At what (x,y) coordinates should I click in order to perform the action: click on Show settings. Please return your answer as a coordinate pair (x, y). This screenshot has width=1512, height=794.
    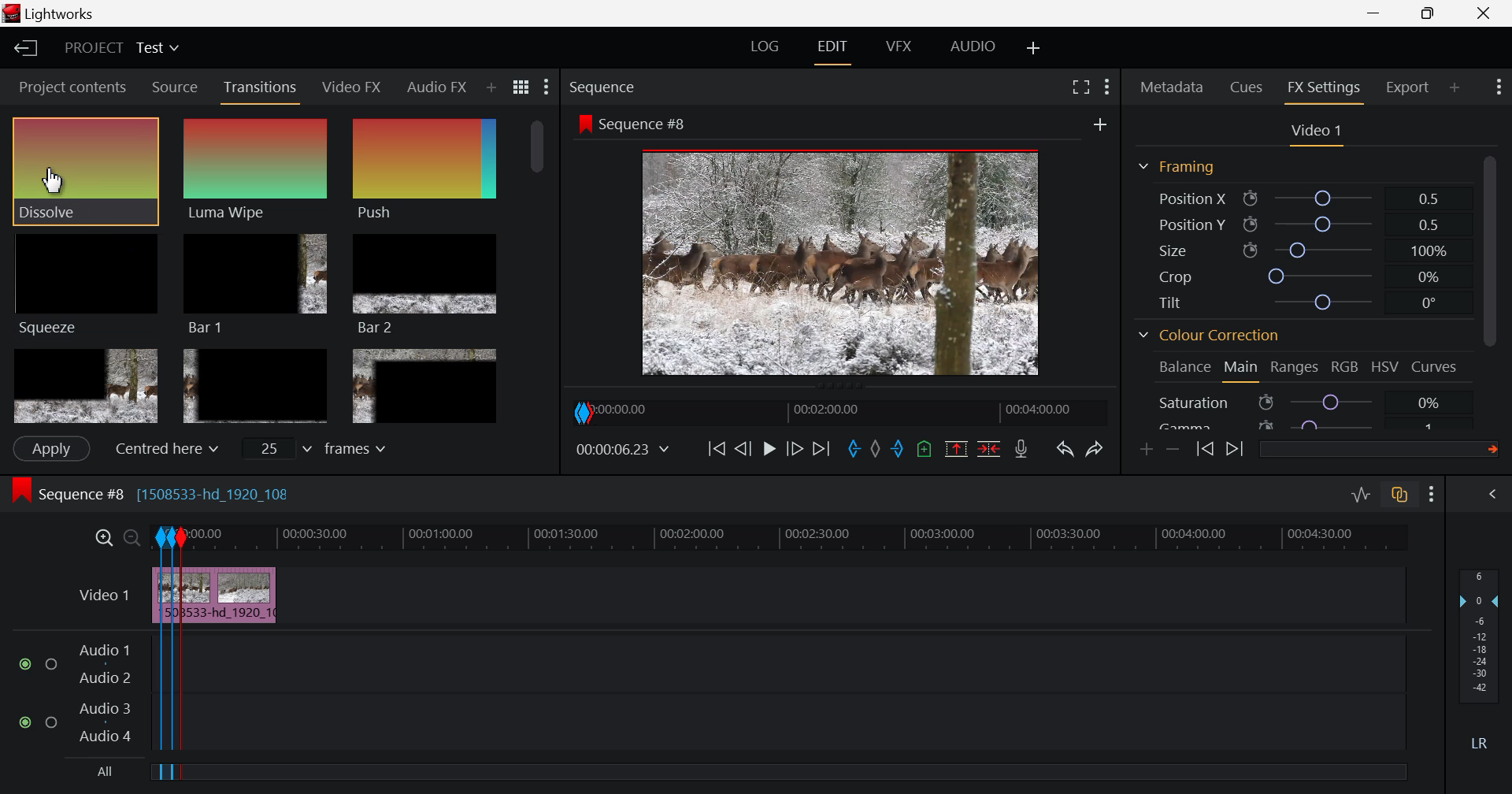
    Looking at the image, I should click on (1107, 87).